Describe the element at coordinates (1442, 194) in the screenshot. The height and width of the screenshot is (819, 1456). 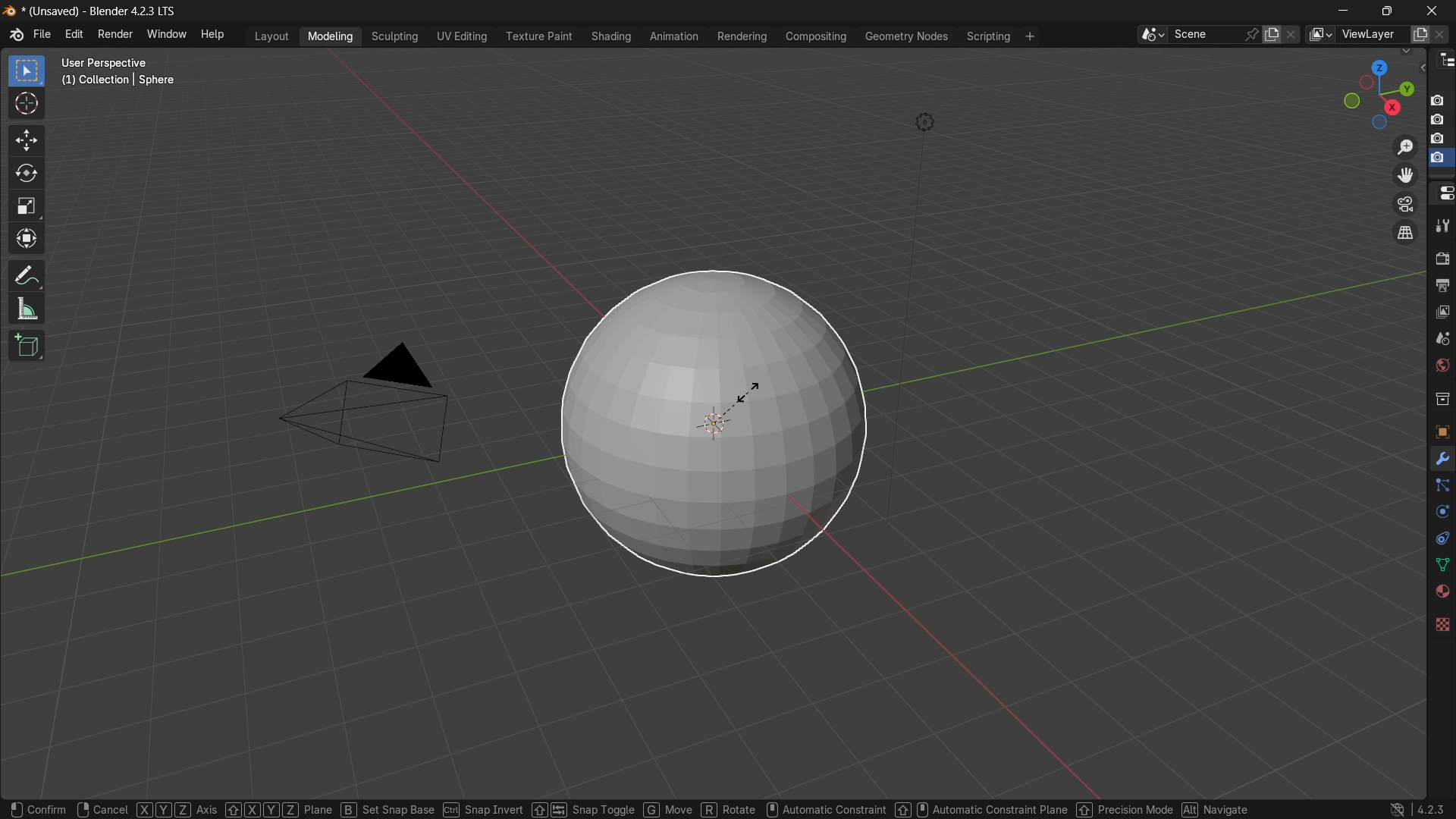
I see `properties` at that location.